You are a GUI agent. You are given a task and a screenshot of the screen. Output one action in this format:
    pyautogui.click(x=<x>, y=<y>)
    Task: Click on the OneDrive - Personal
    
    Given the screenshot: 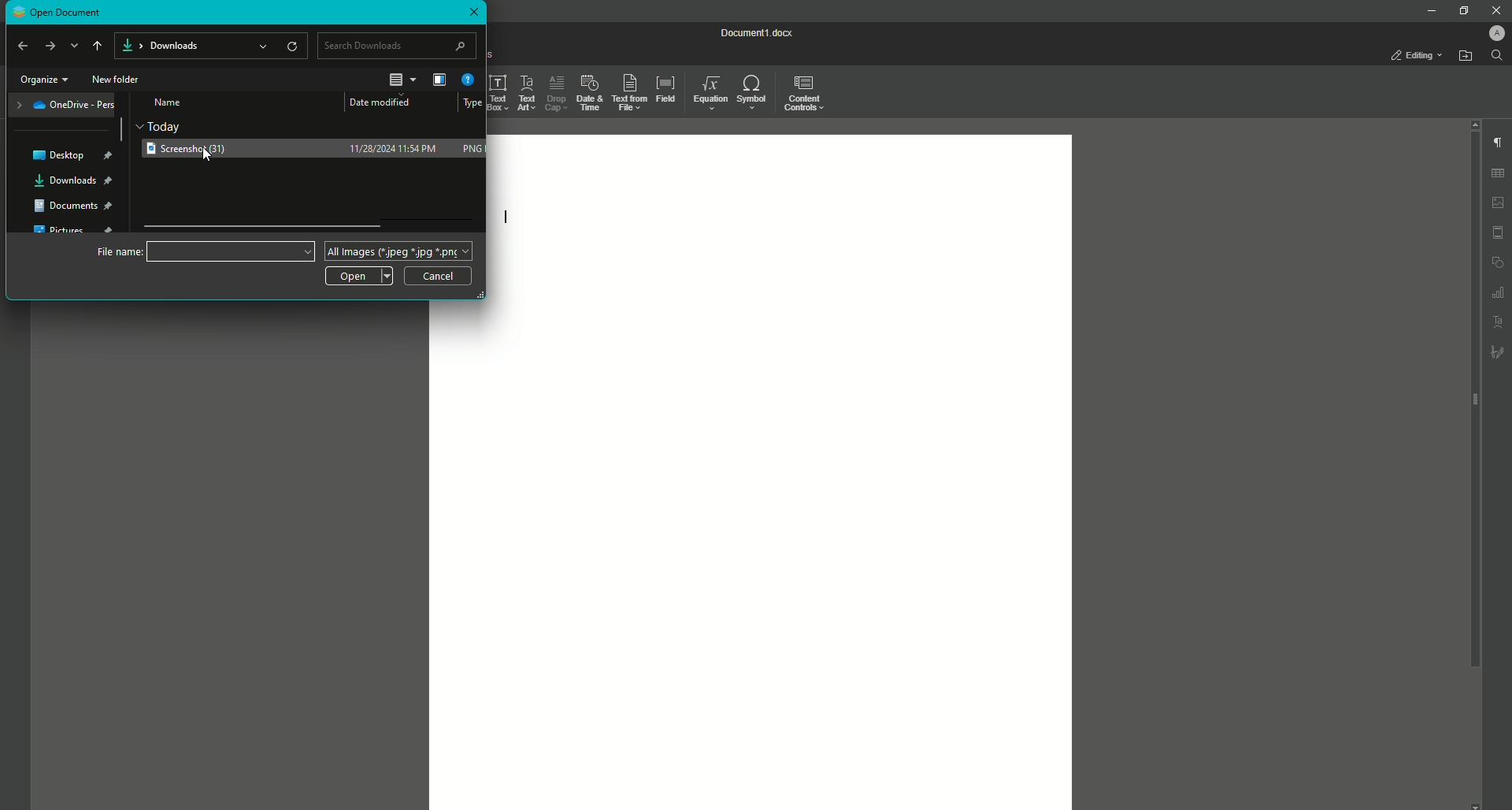 What is the action you would take?
    pyautogui.click(x=66, y=107)
    